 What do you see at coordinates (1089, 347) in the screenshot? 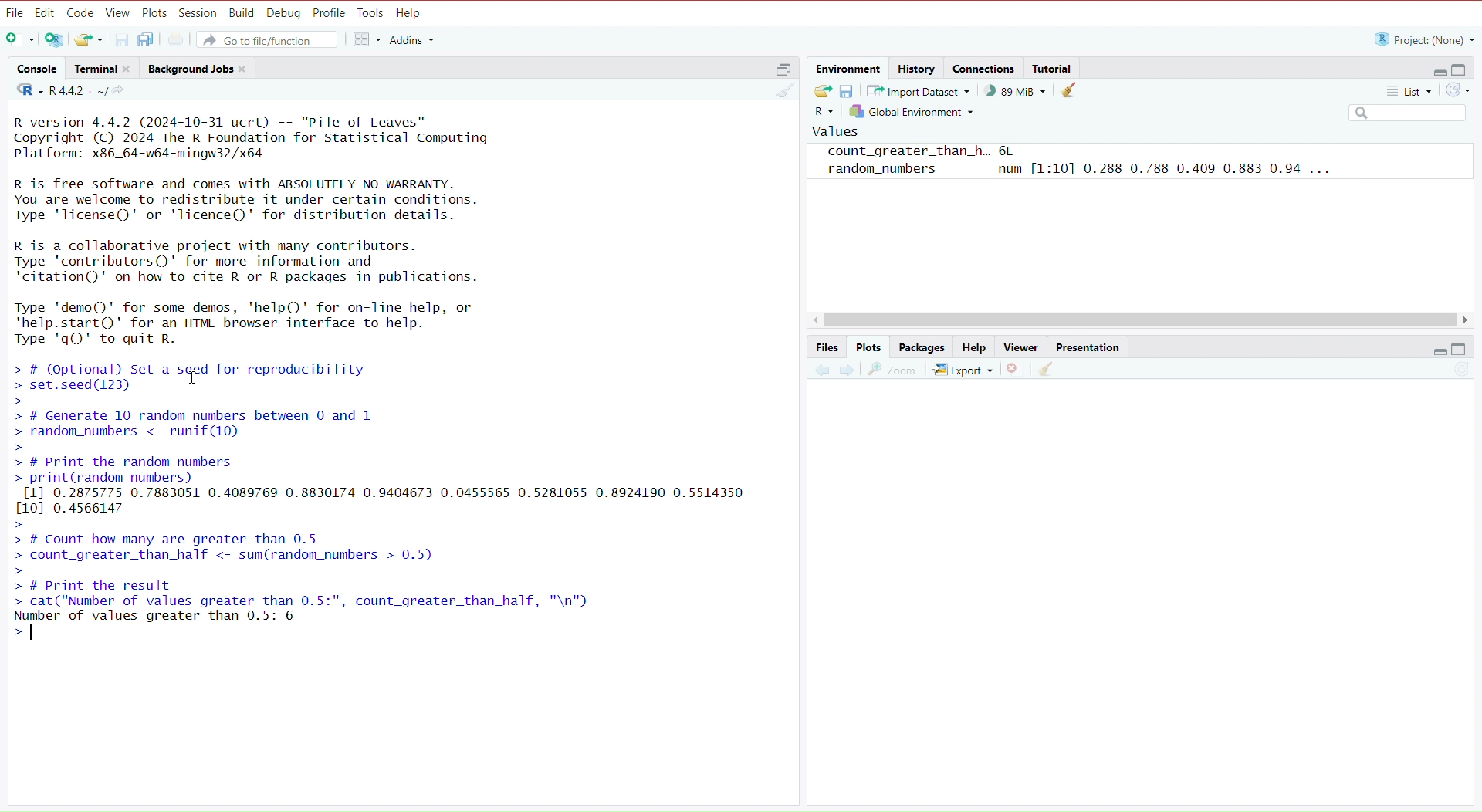
I see `Presentation` at bounding box center [1089, 347].